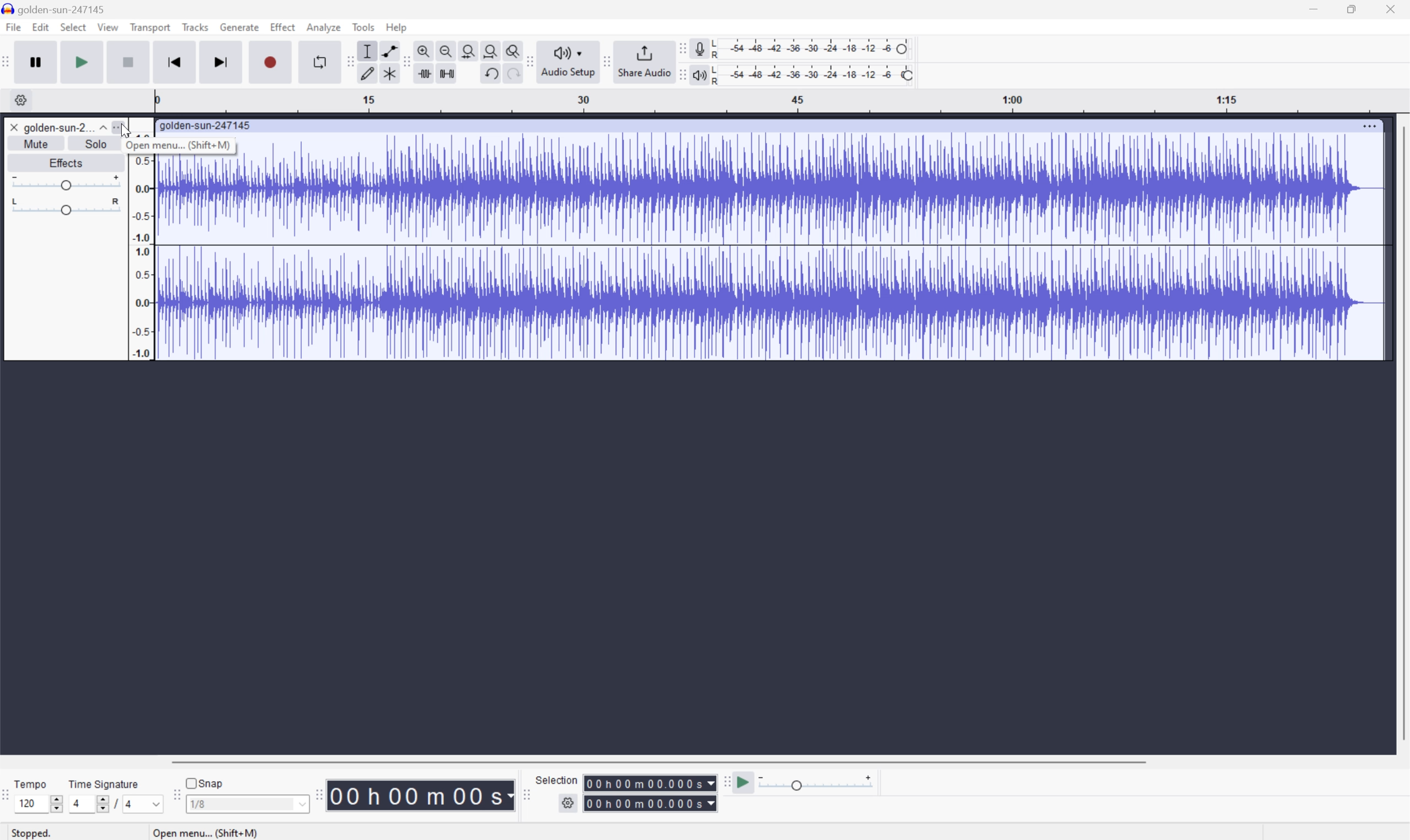 The height and width of the screenshot is (840, 1410). Describe the element at coordinates (813, 47) in the screenshot. I see `Recording level: 62%` at that location.